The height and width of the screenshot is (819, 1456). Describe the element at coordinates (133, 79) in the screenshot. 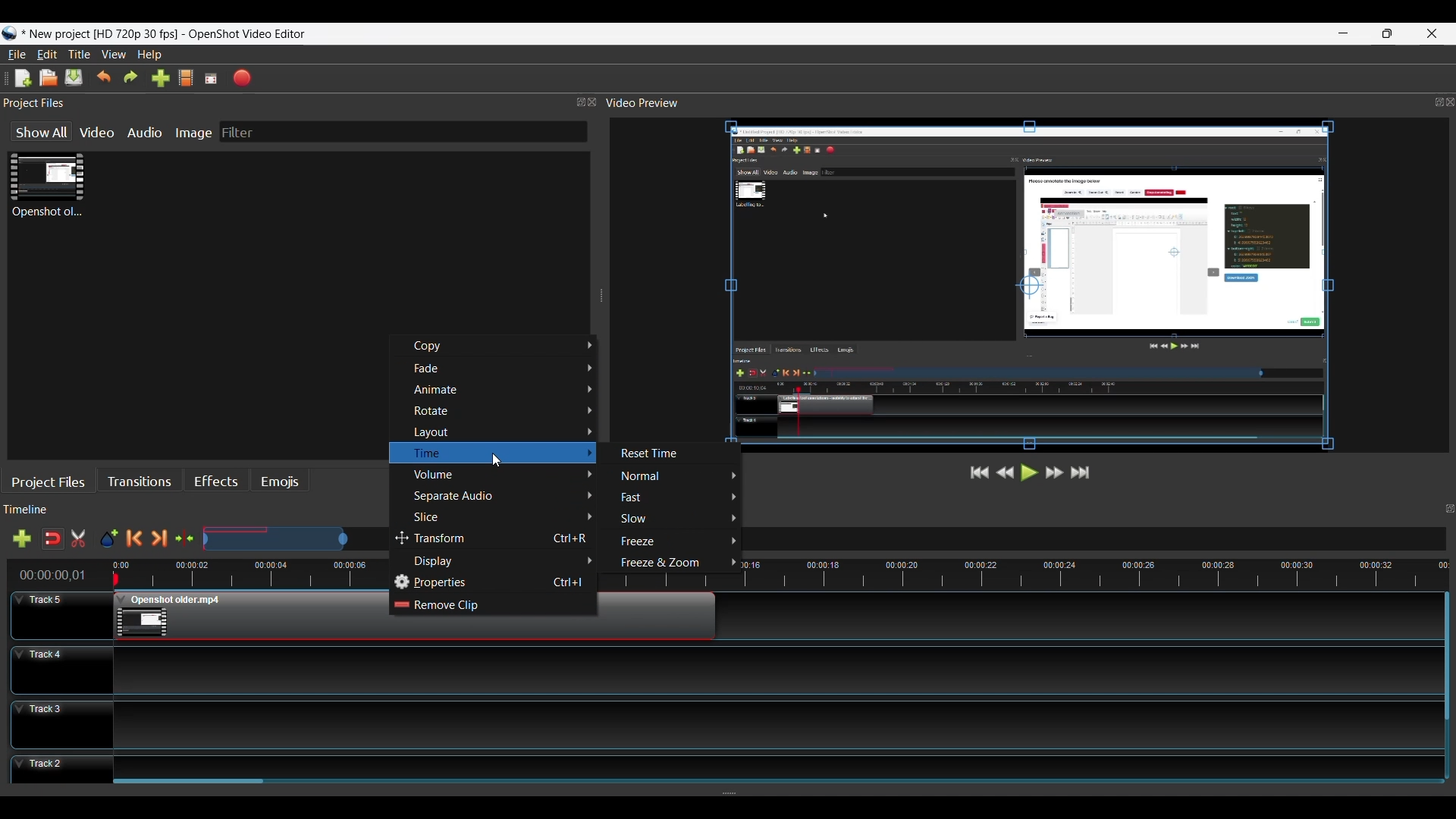

I see `Redo` at that location.